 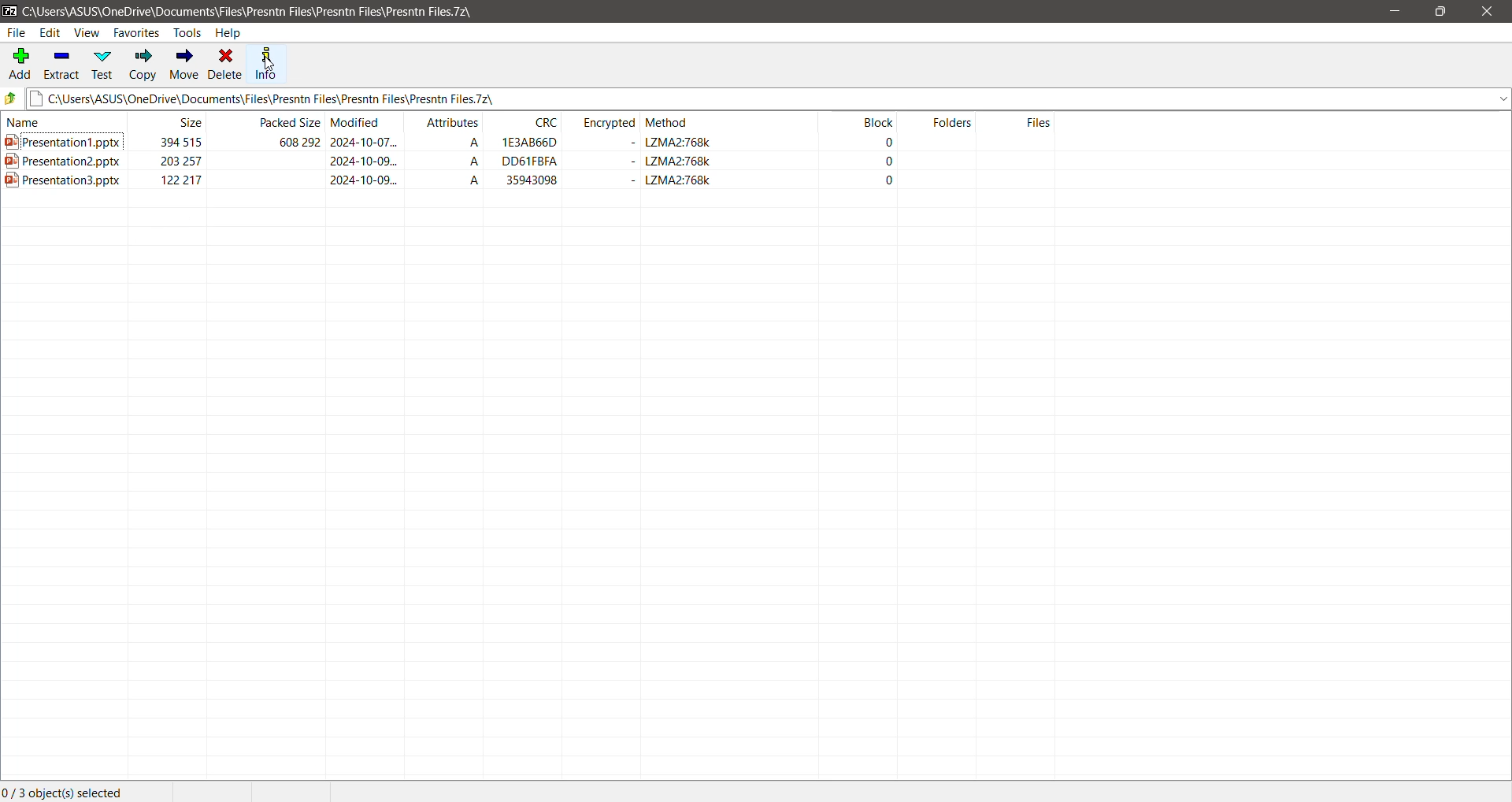 What do you see at coordinates (769, 101) in the screenshot?
I see `c\Users\ASUS\OneDrive\Documents\Files\Presntn Files\Presntn Files\presntn` at bounding box center [769, 101].